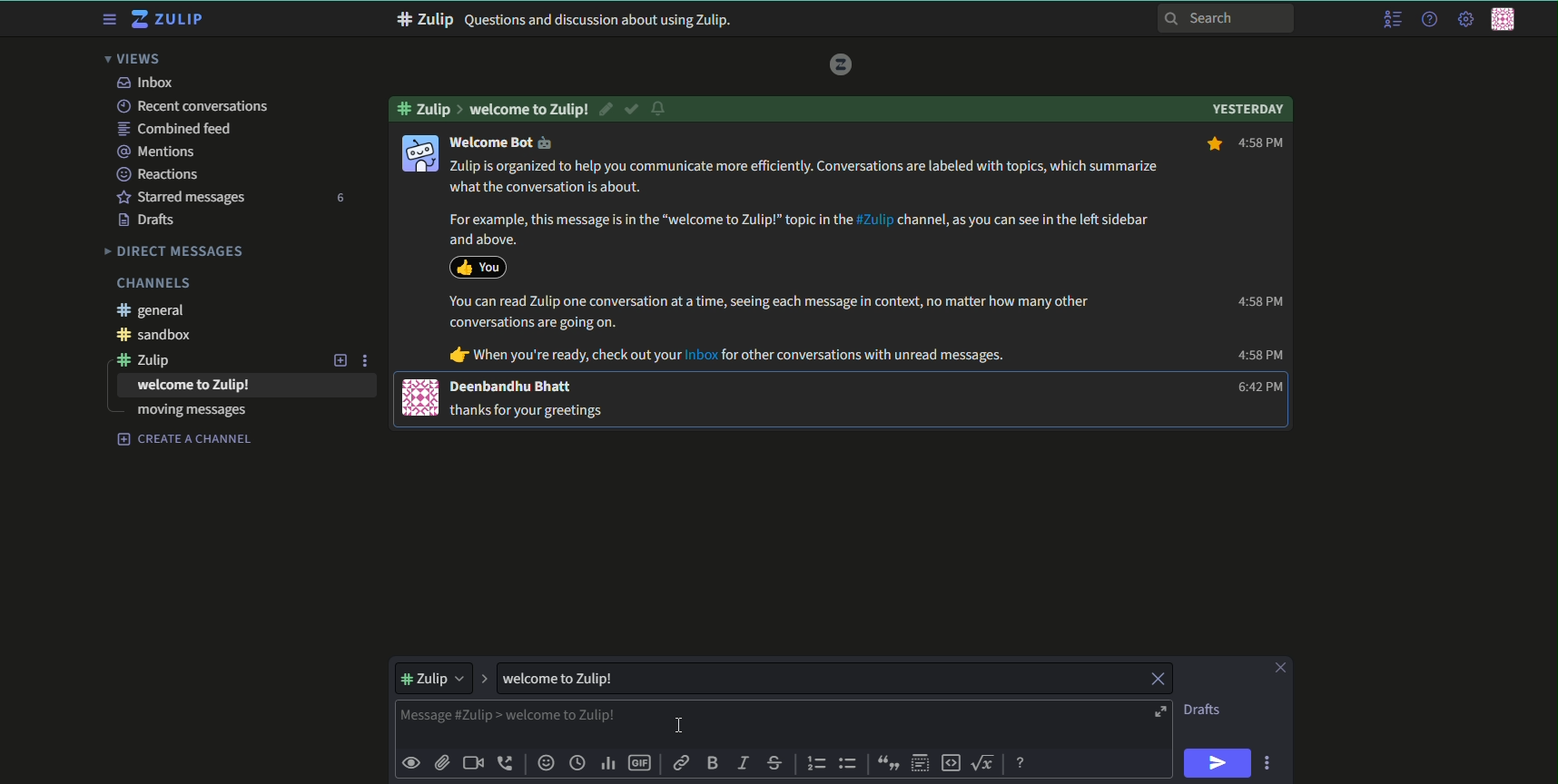 The height and width of the screenshot is (784, 1558). Describe the element at coordinates (712, 764) in the screenshot. I see `bold` at that location.